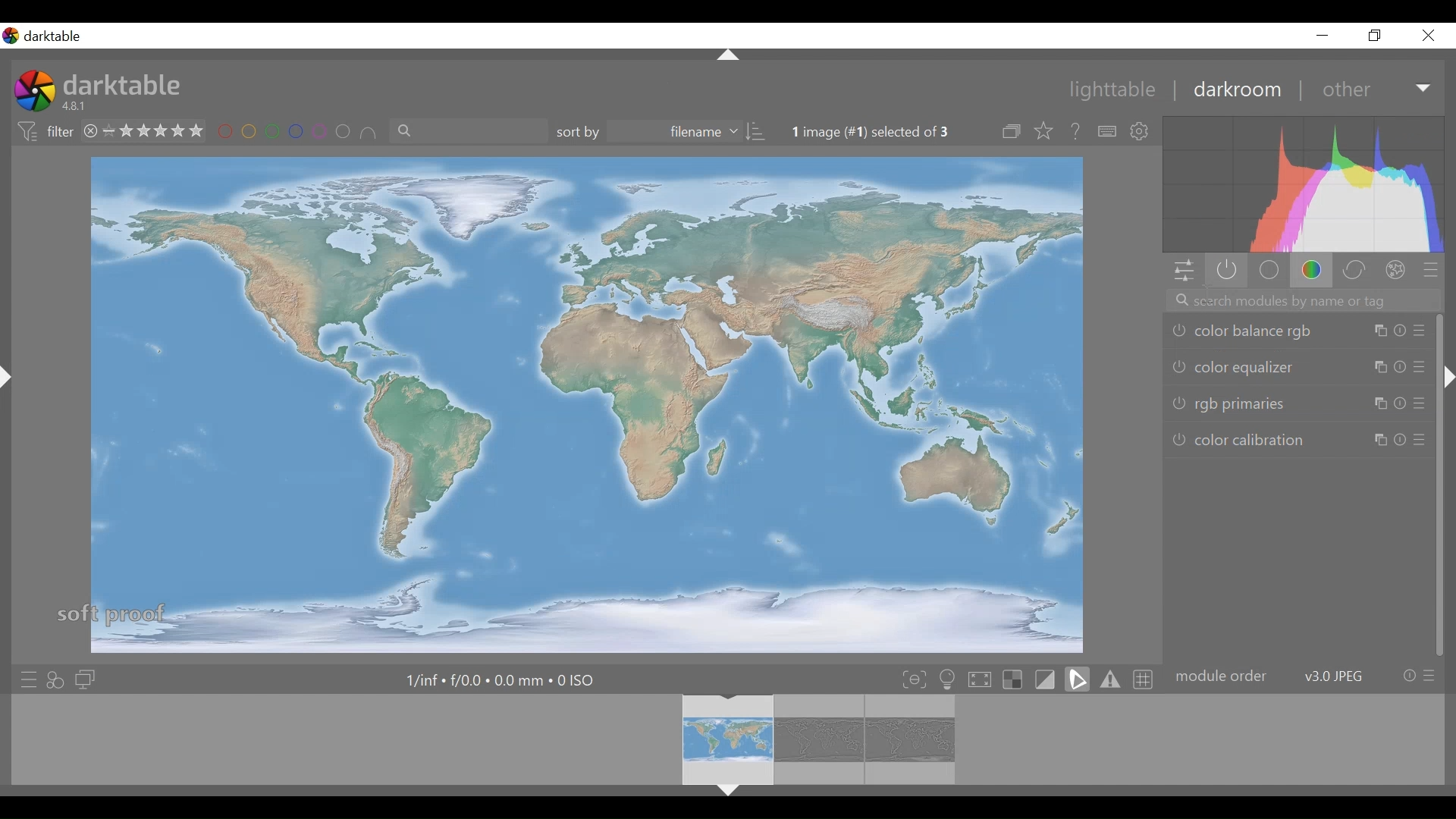 The height and width of the screenshot is (819, 1456). Describe the element at coordinates (1326, 35) in the screenshot. I see `minimize` at that location.